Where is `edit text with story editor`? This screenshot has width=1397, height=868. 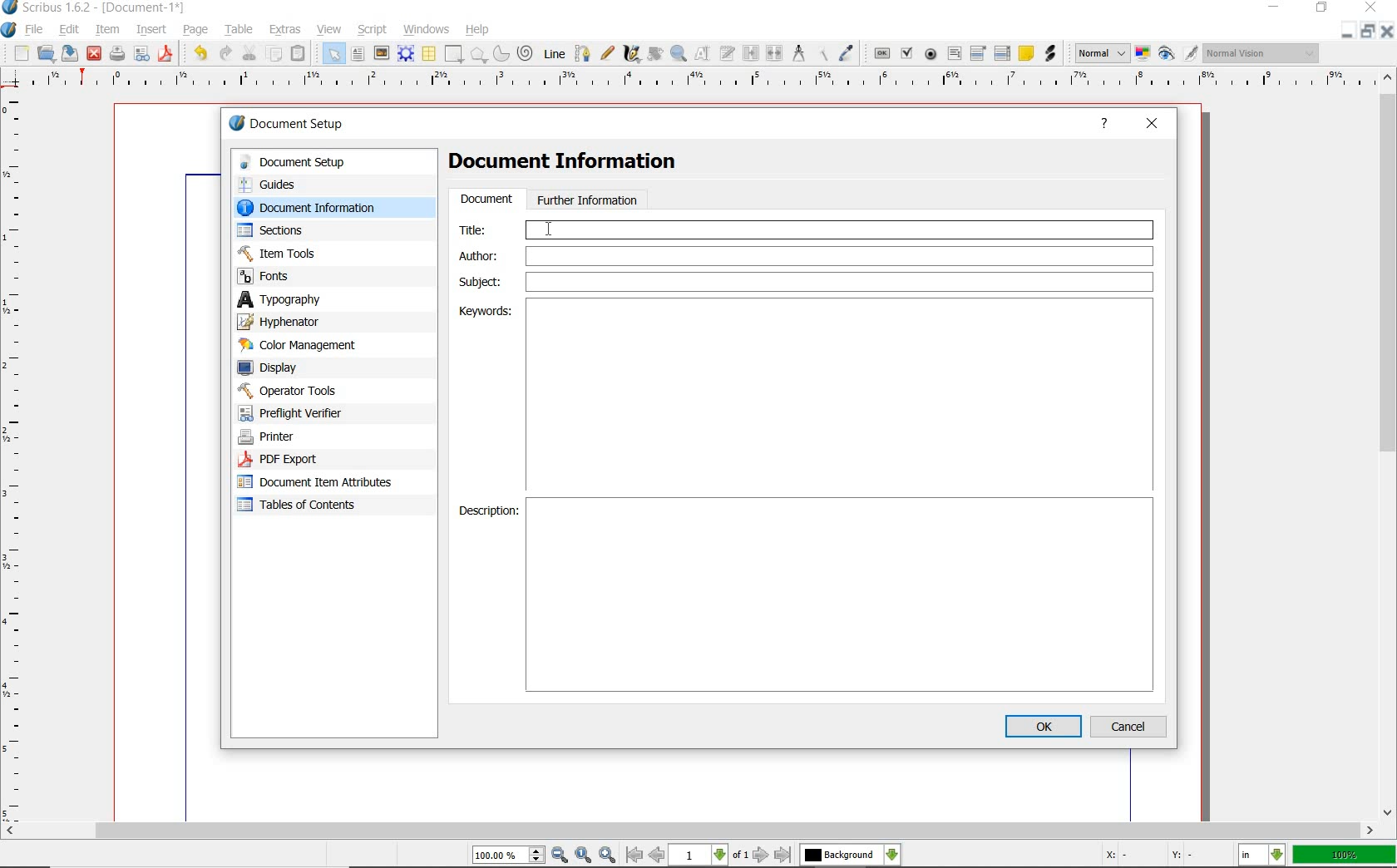
edit text with story editor is located at coordinates (728, 55).